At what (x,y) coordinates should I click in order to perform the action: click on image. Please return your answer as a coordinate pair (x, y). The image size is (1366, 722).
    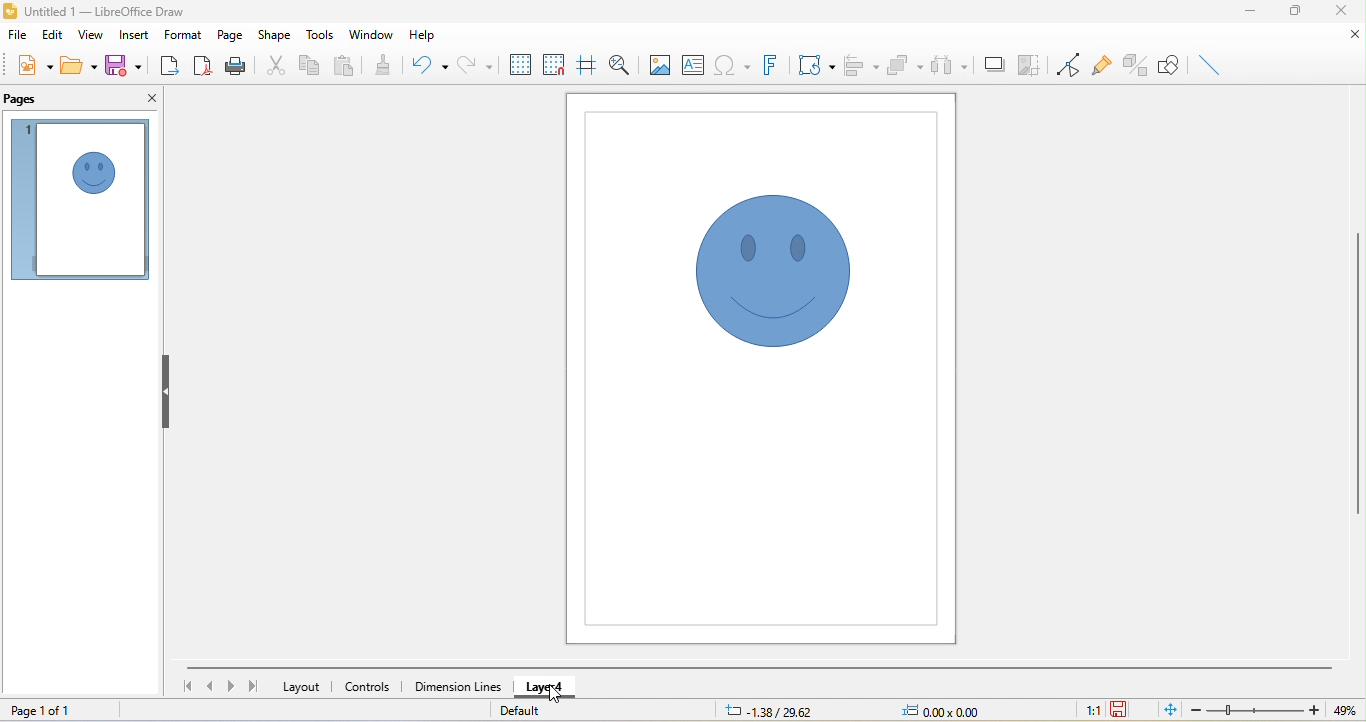
    Looking at the image, I should click on (659, 64).